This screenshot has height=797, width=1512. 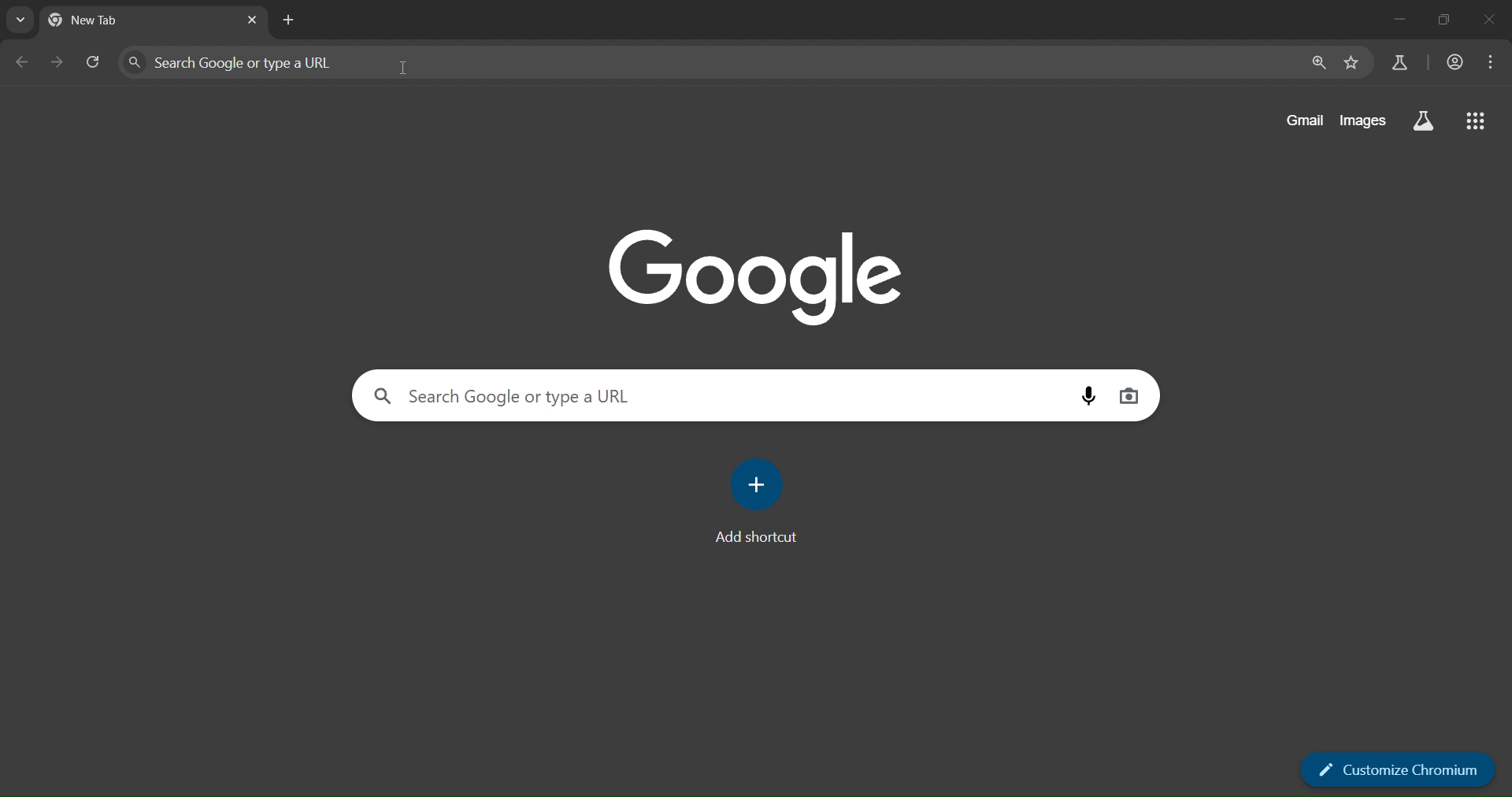 What do you see at coordinates (519, 396) in the screenshot?
I see `Search Google or type a URL` at bounding box center [519, 396].